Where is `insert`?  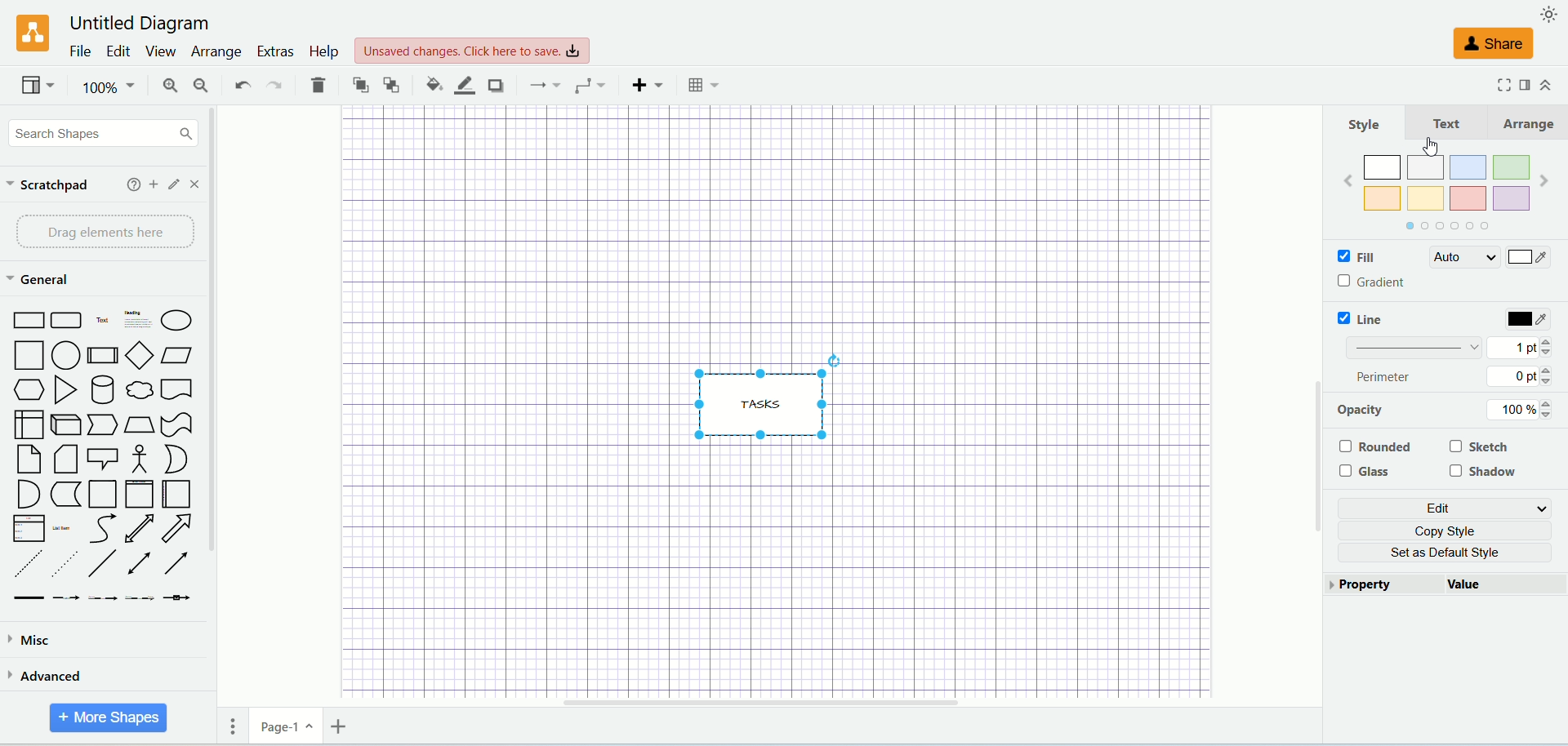 insert is located at coordinates (644, 85).